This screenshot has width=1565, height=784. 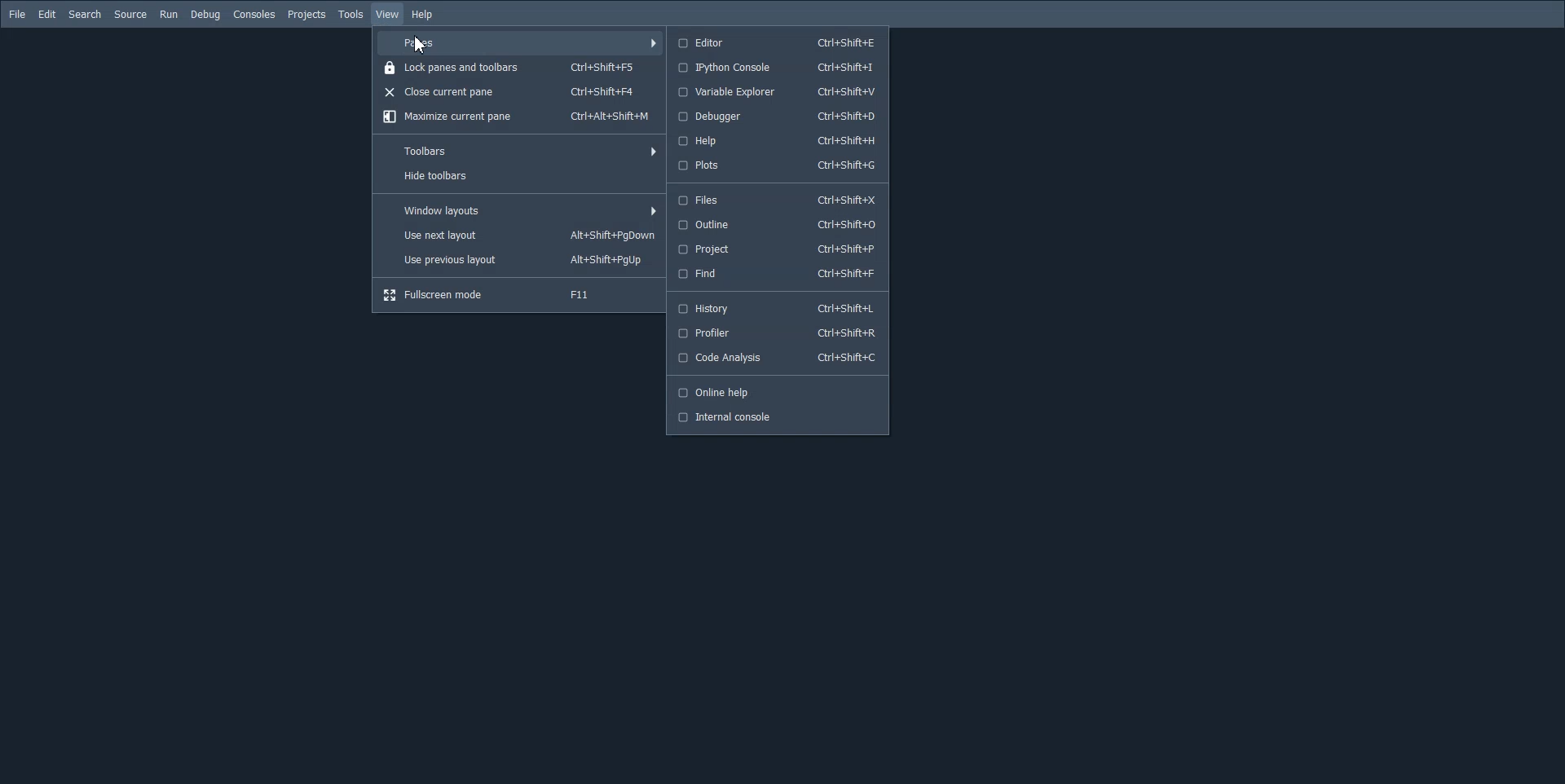 What do you see at coordinates (518, 116) in the screenshot?
I see `Maximize current pane` at bounding box center [518, 116].